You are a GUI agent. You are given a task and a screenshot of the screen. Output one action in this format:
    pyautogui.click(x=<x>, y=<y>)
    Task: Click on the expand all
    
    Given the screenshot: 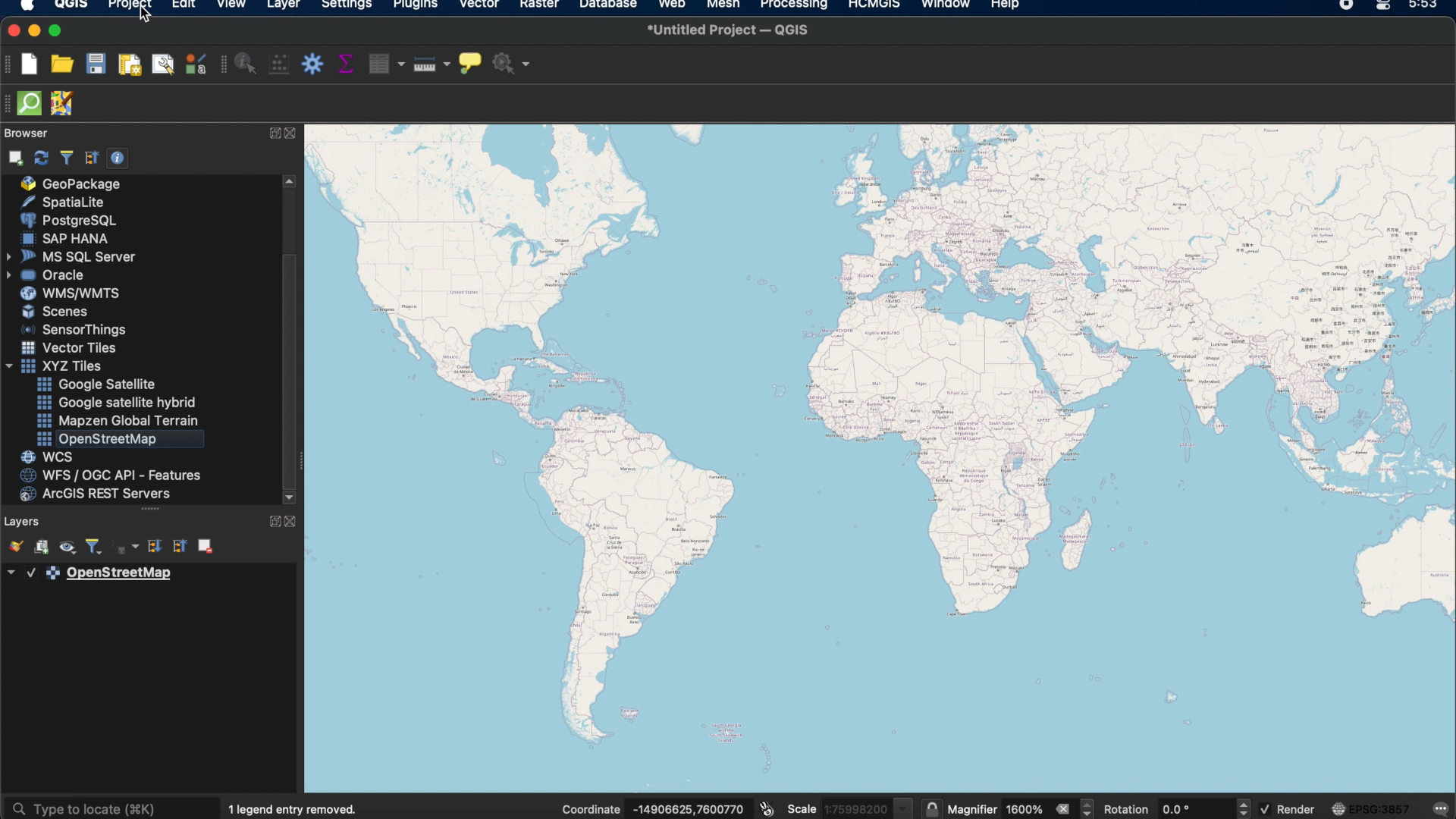 What is the action you would take?
    pyautogui.click(x=153, y=546)
    